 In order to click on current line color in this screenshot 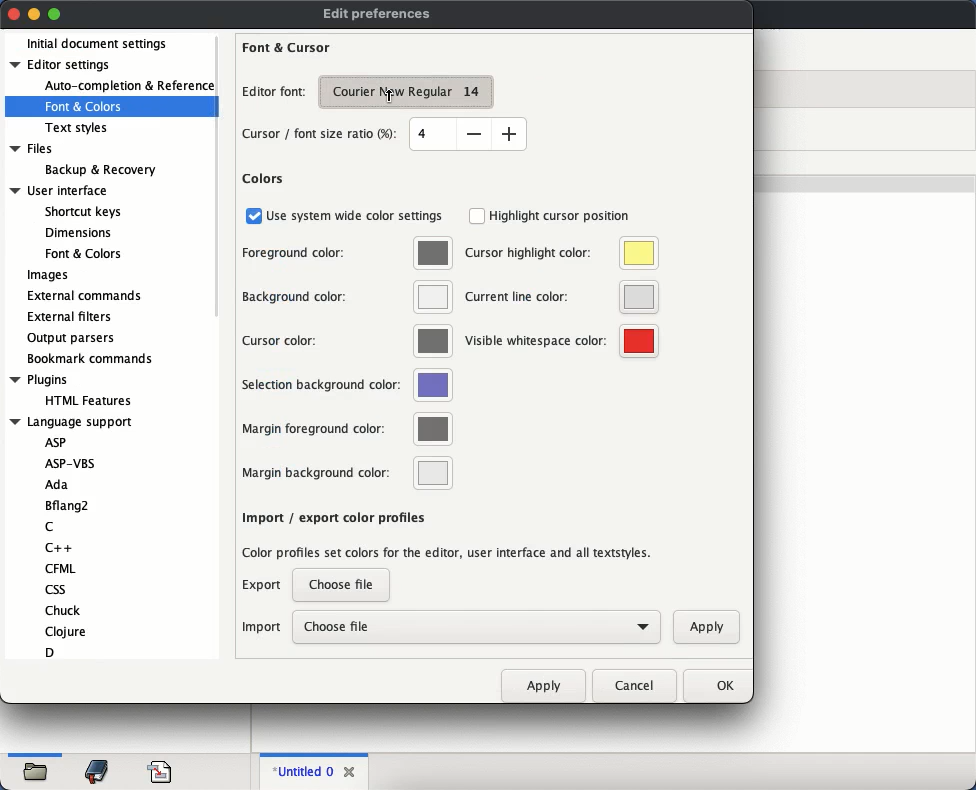, I will do `click(559, 297)`.